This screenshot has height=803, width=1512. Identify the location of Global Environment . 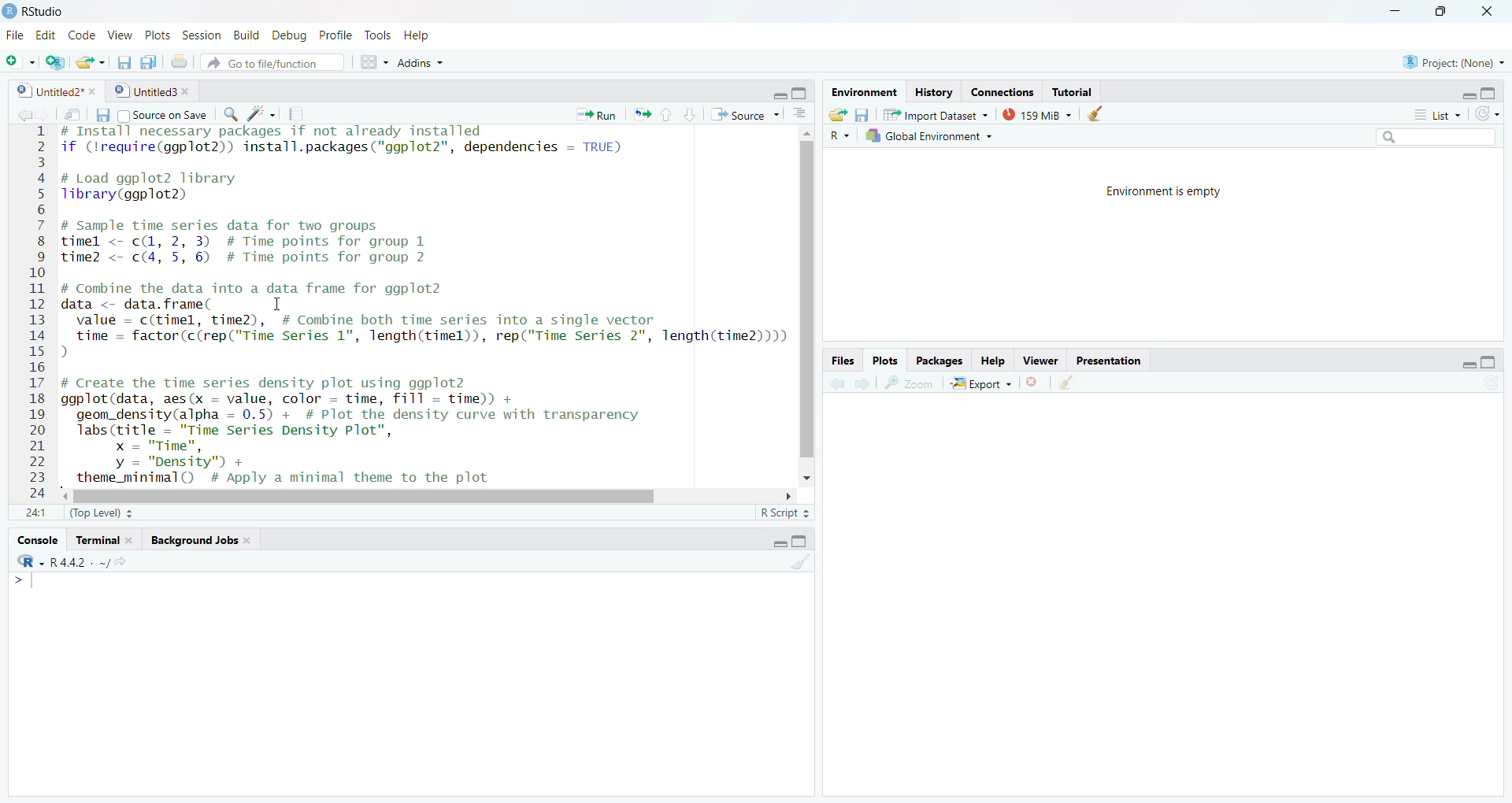
(930, 136).